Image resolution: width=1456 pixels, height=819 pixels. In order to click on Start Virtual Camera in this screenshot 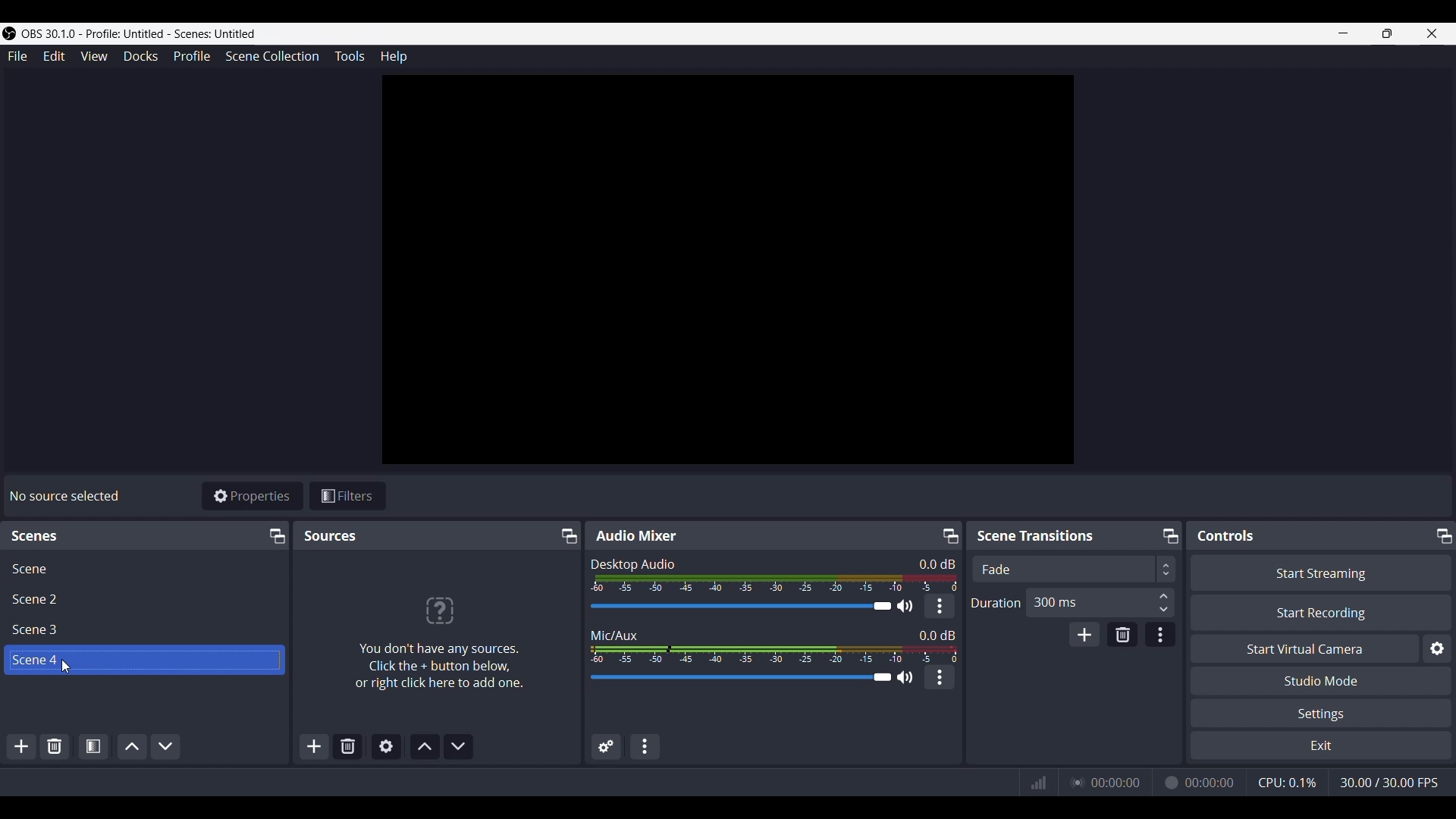, I will do `click(1304, 649)`.